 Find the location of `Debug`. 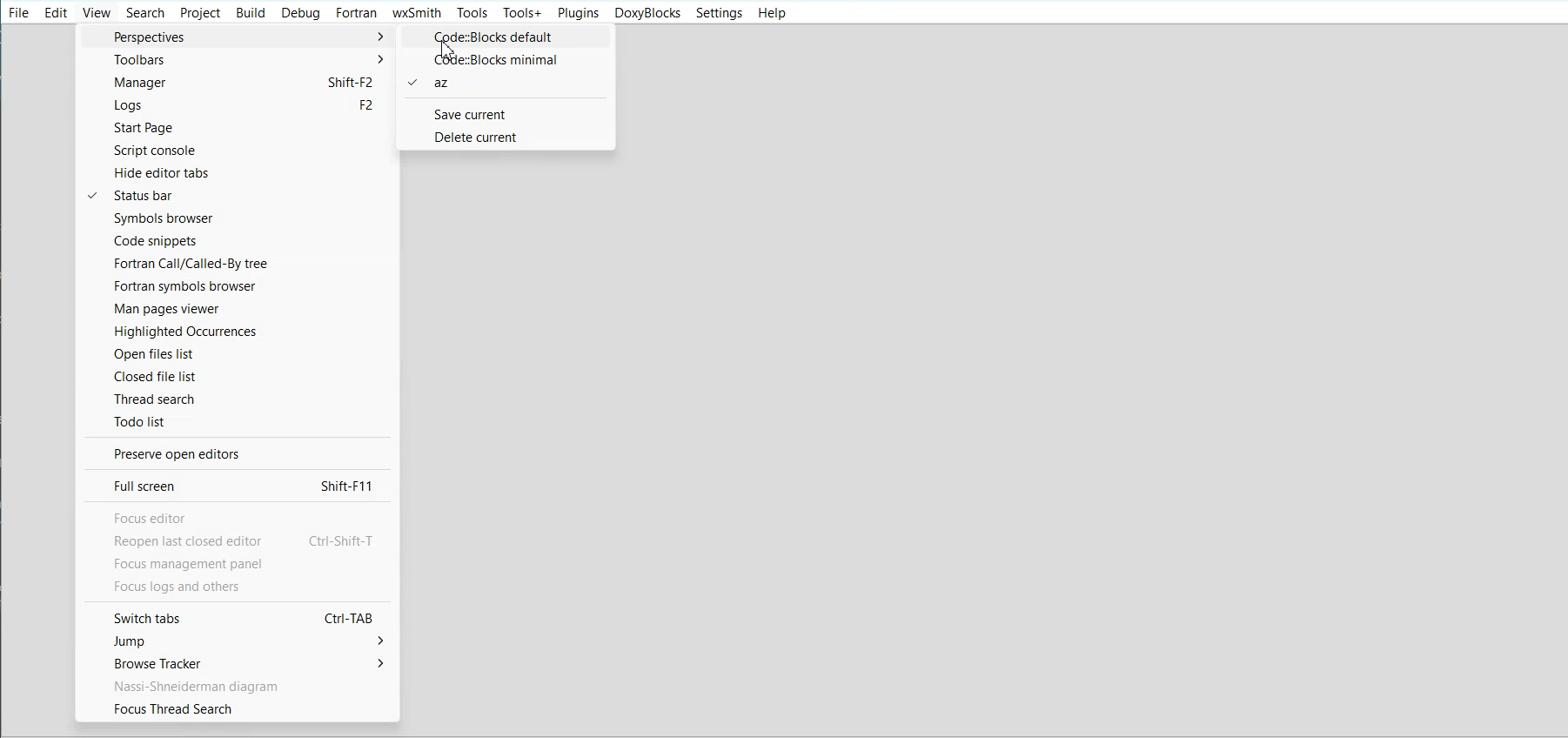

Debug is located at coordinates (302, 13).